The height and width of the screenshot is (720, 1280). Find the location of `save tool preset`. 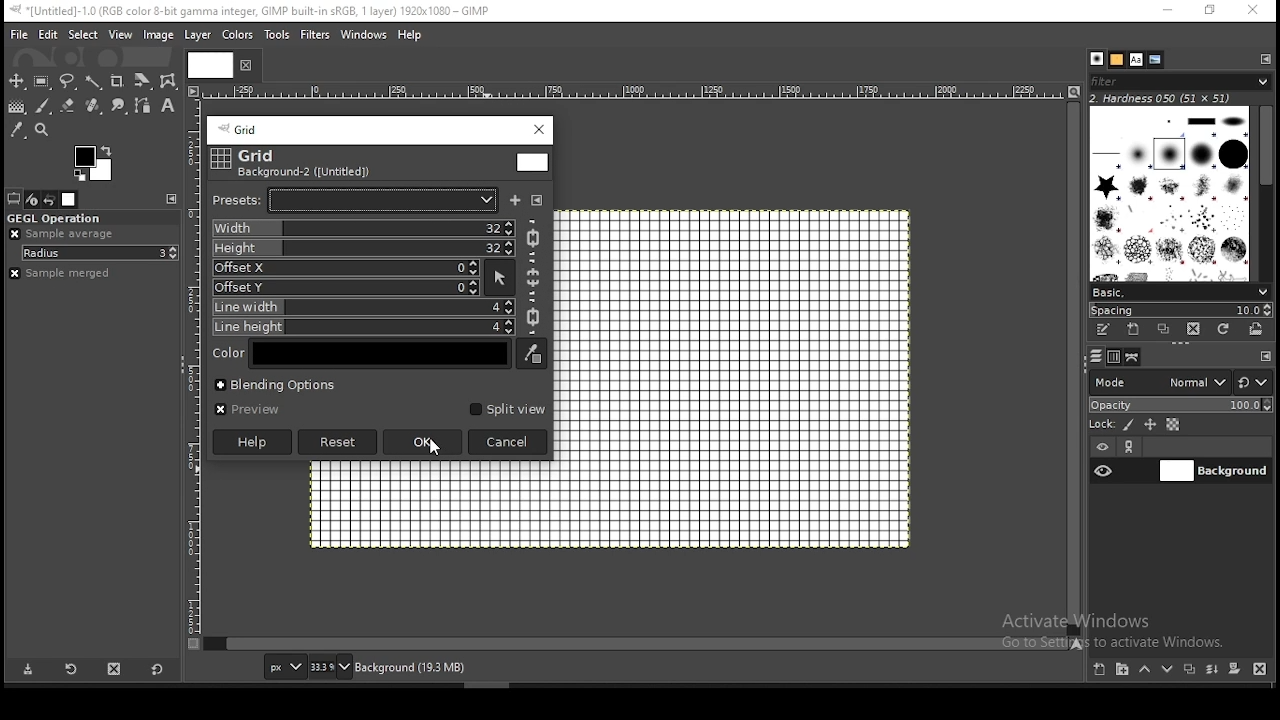

save tool preset is located at coordinates (27, 670).